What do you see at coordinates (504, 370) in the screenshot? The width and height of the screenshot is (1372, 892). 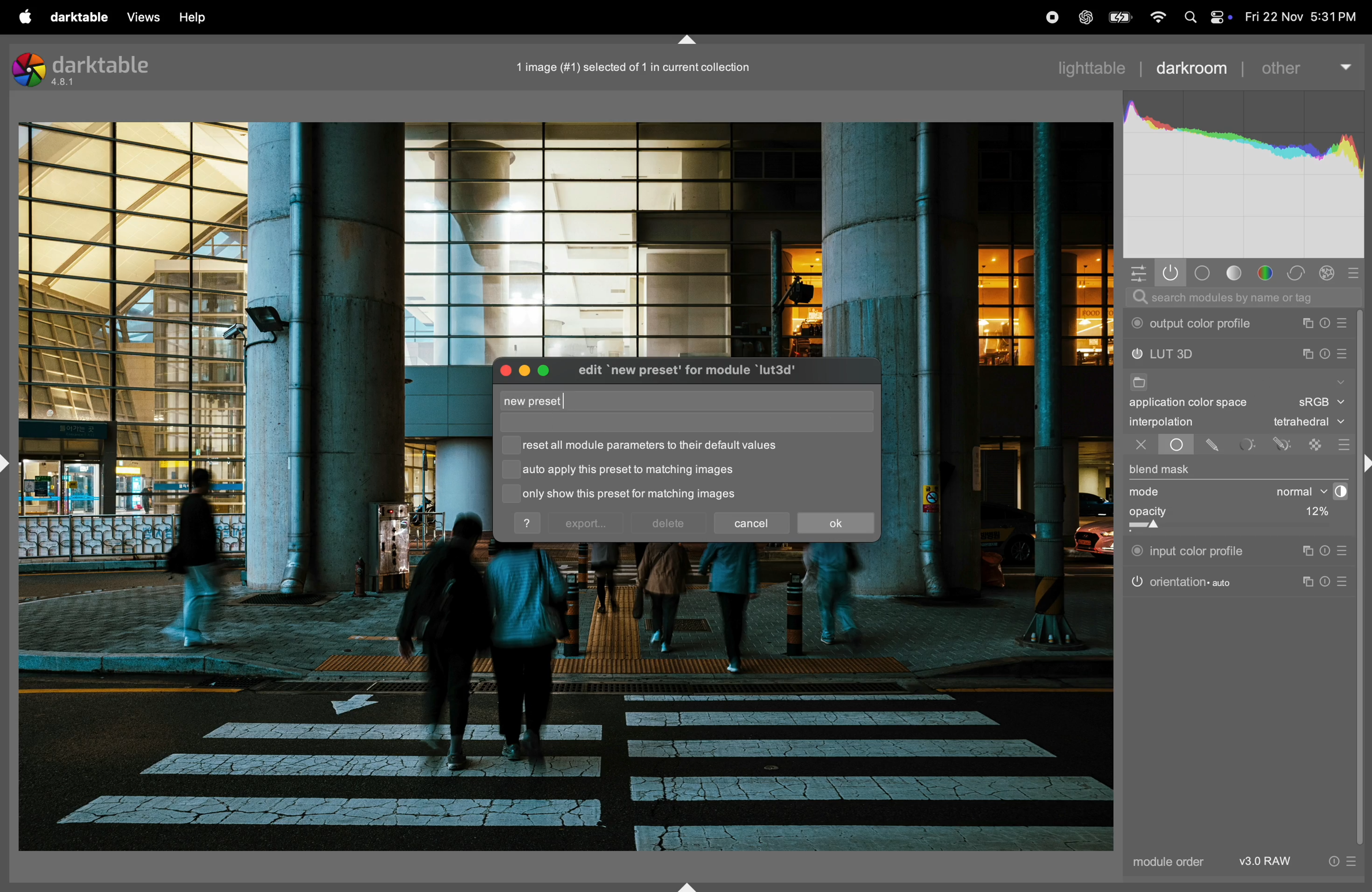 I see `close` at bounding box center [504, 370].